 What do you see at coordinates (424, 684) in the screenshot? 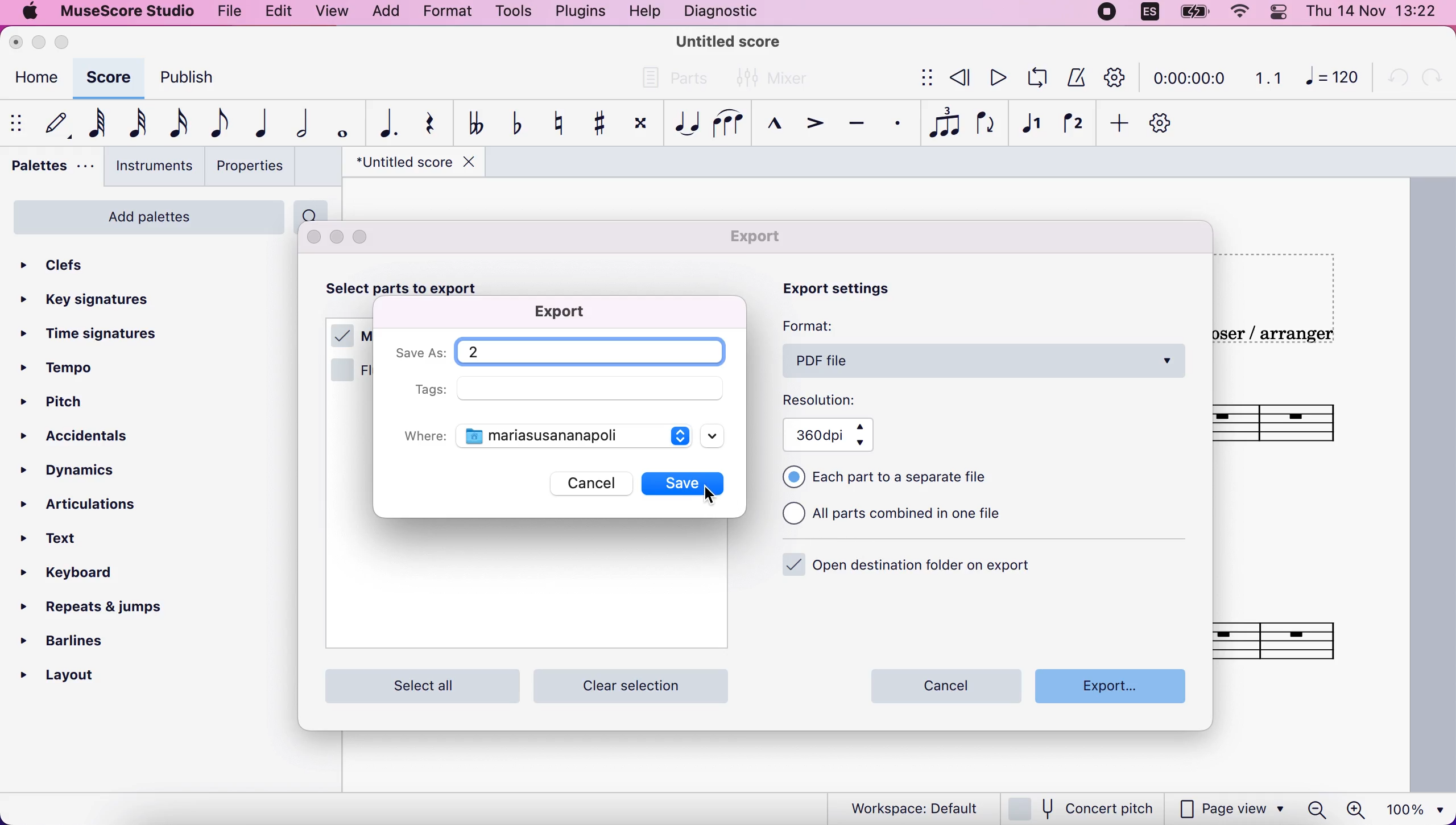
I see `select all` at bounding box center [424, 684].